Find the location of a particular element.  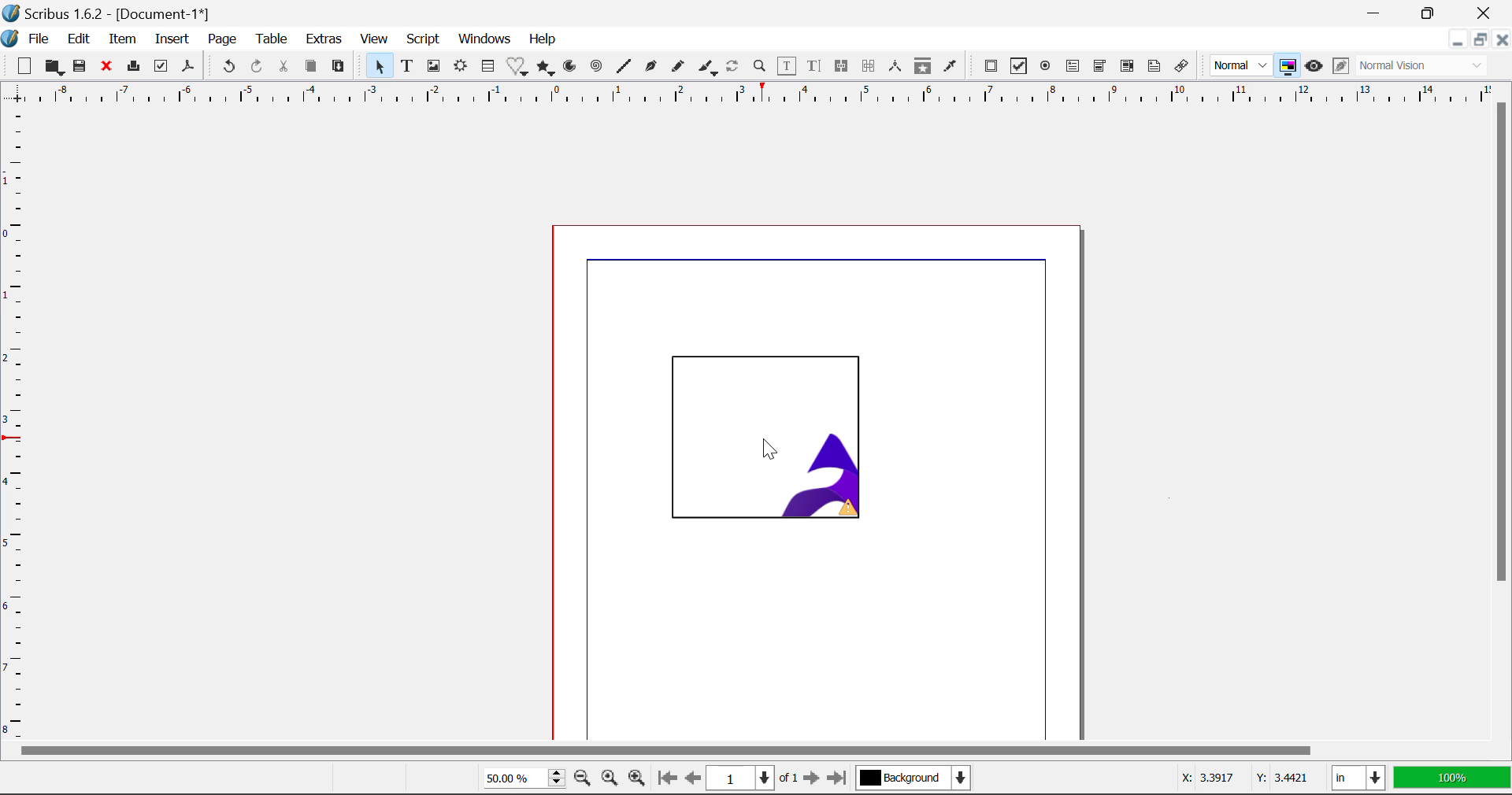

Bezier Curve is located at coordinates (649, 67).